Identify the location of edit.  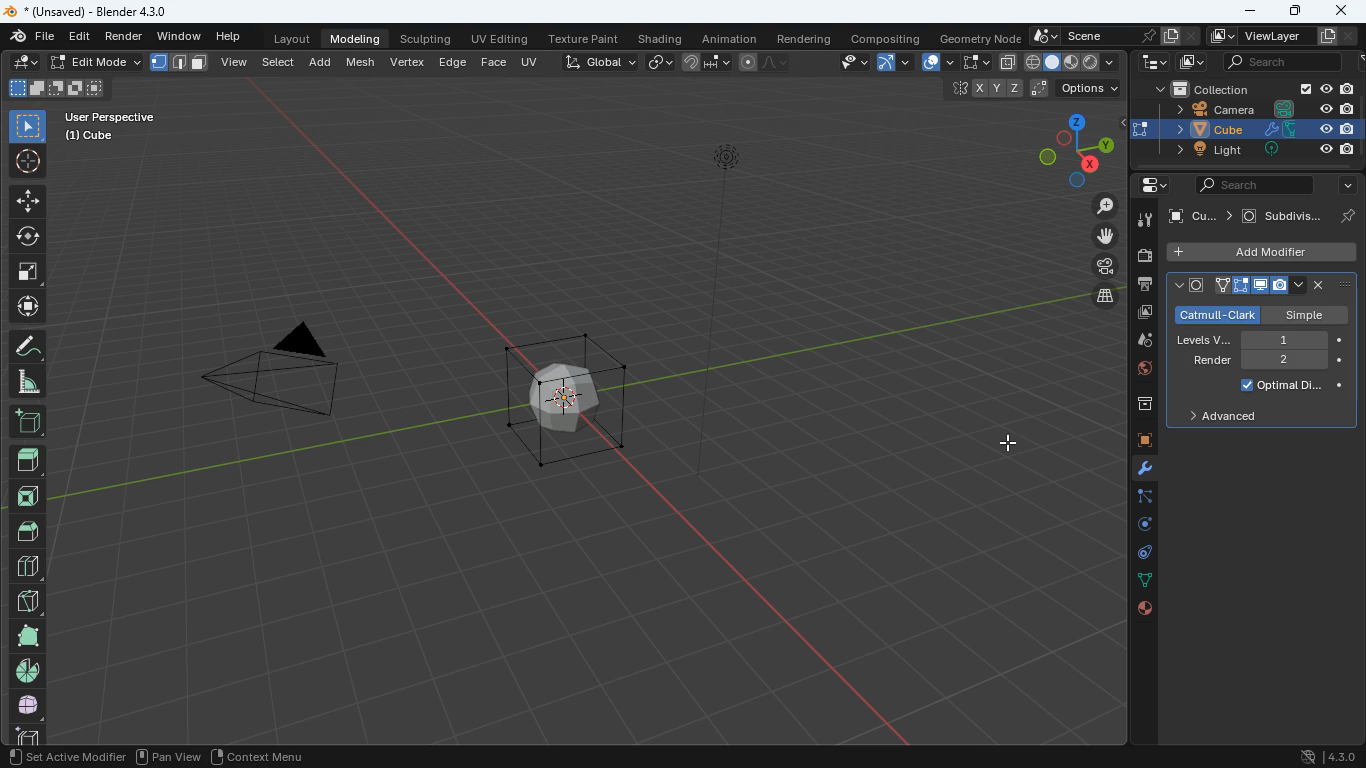
(79, 36).